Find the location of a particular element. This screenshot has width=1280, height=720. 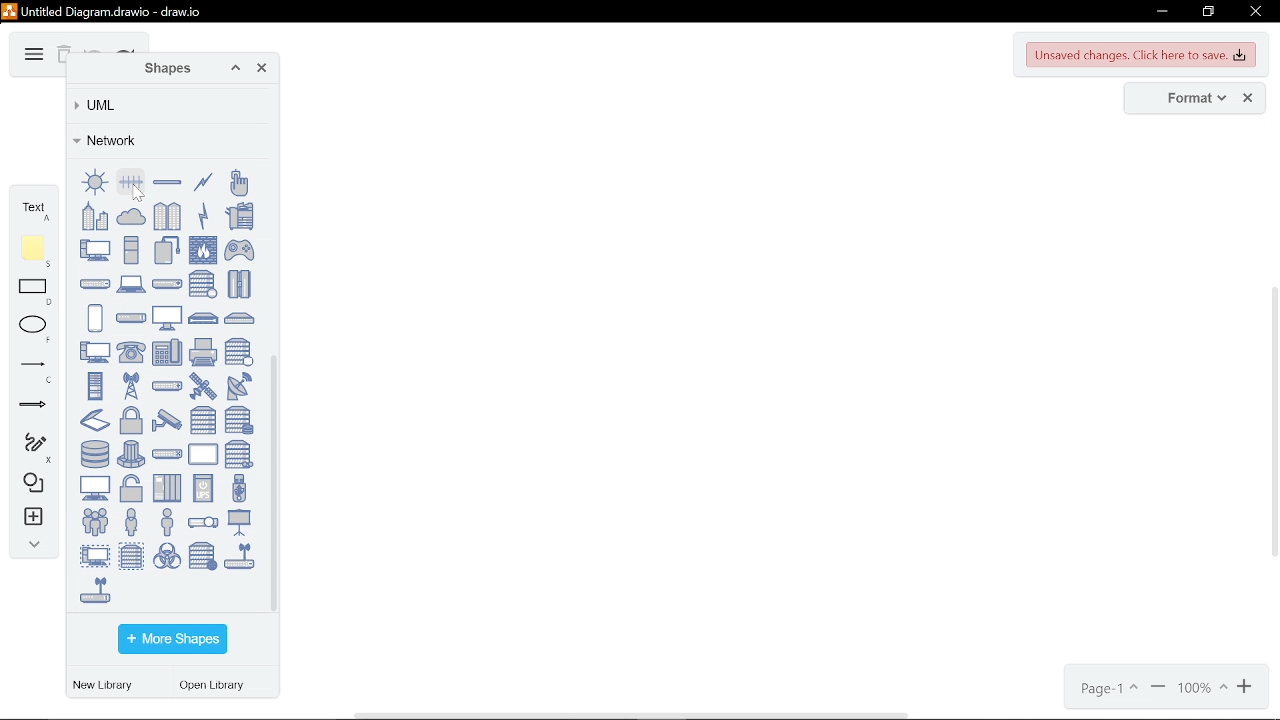

firewall is located at coordinates (203, 250).